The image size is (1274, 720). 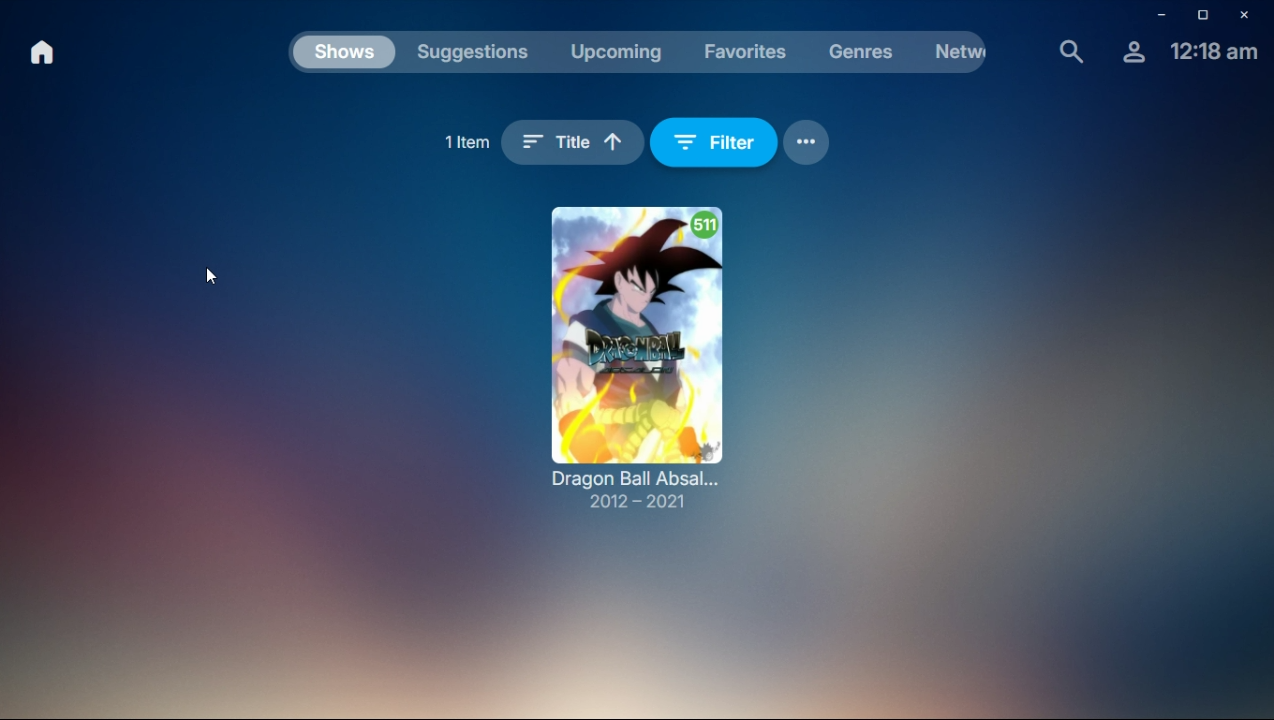 I want to click on minimize, so click(x=1160, y=15).